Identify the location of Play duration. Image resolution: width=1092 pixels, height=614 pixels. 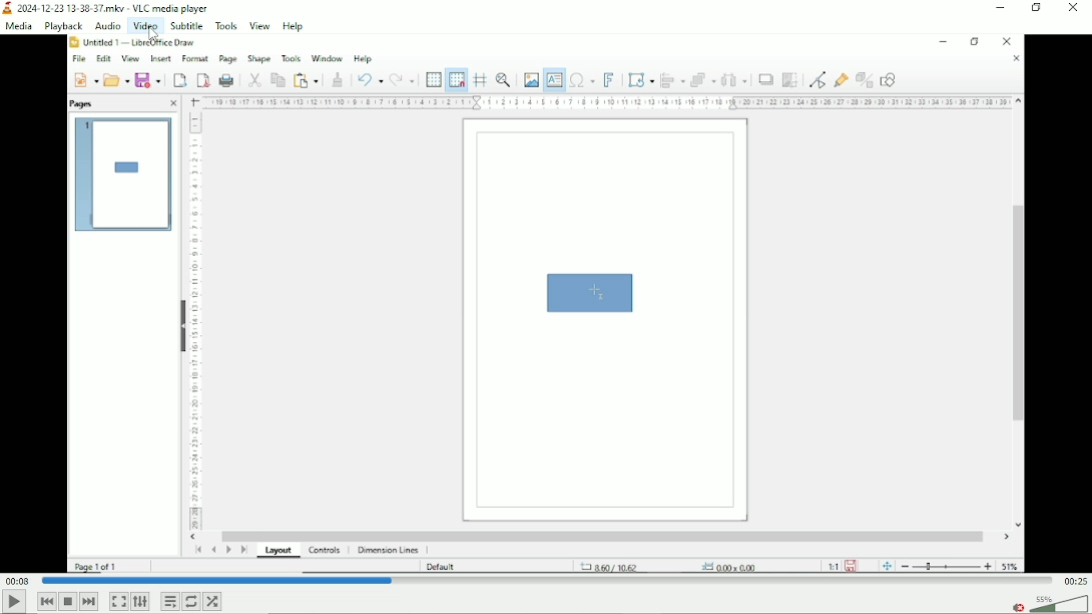
(545, 581).